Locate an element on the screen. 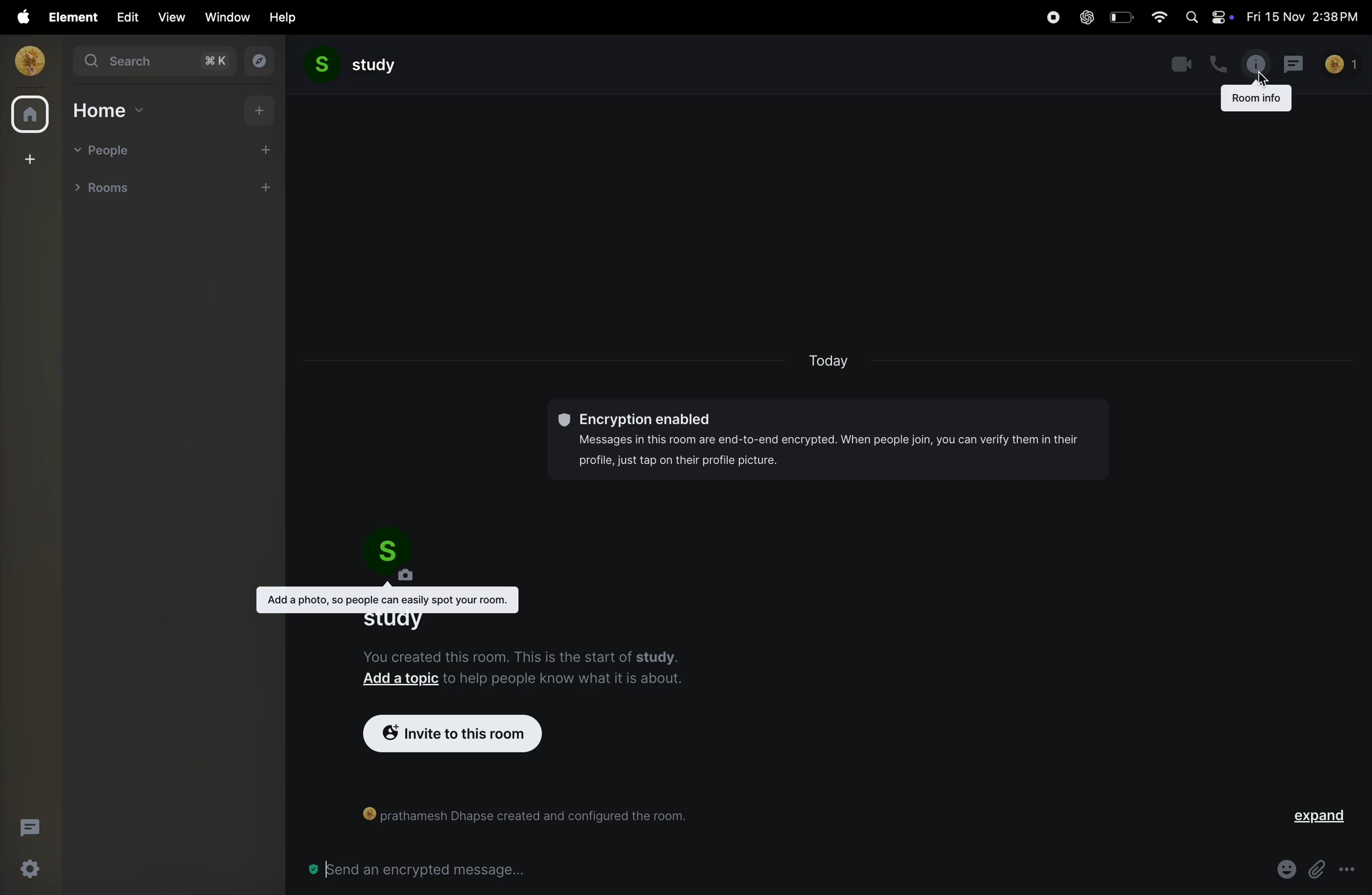 This screenshot has width=1372, height=895. messages is located at coordinates (1292, 64).